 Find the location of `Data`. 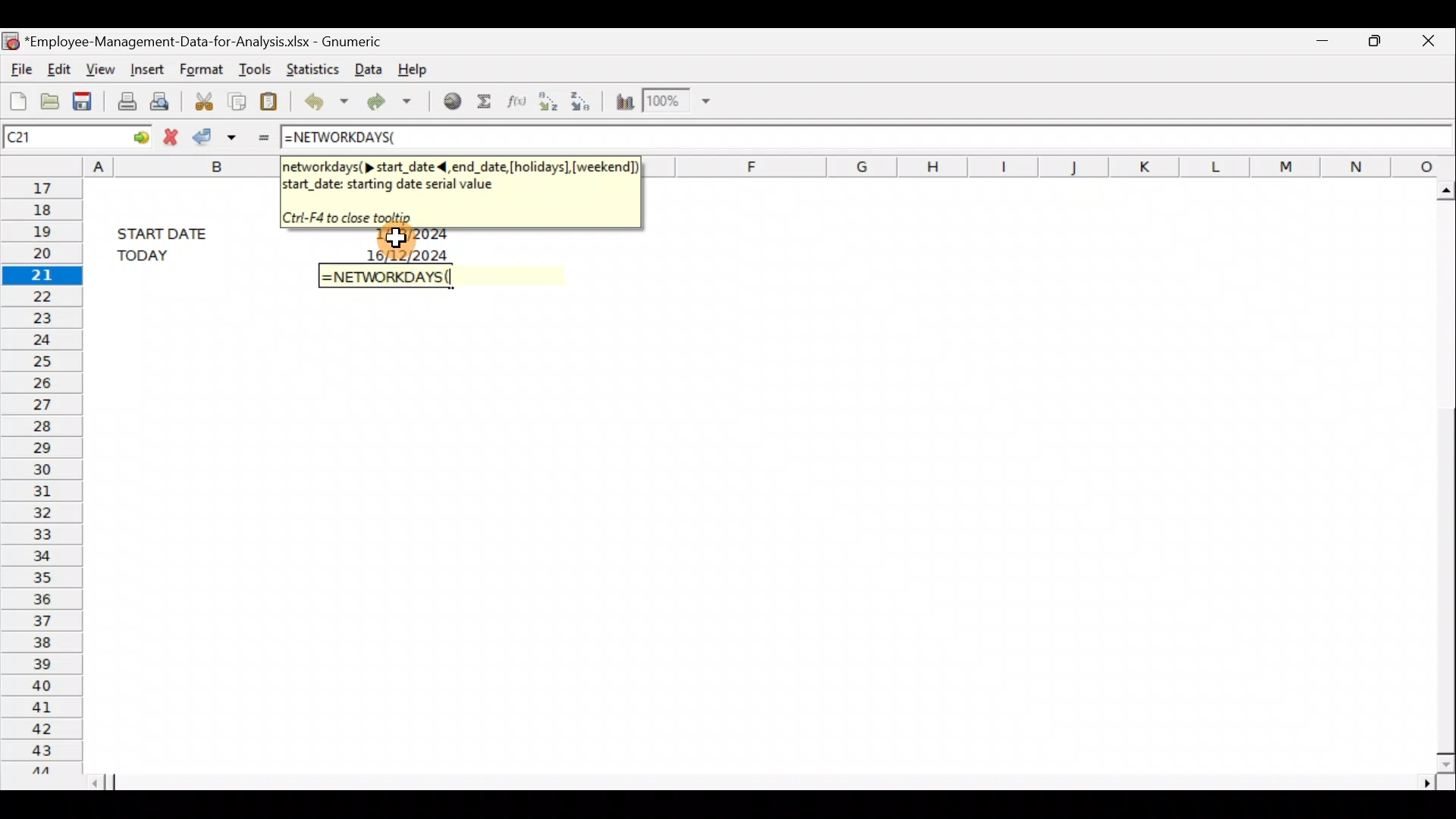

Data is located at coordinates (367, 70).